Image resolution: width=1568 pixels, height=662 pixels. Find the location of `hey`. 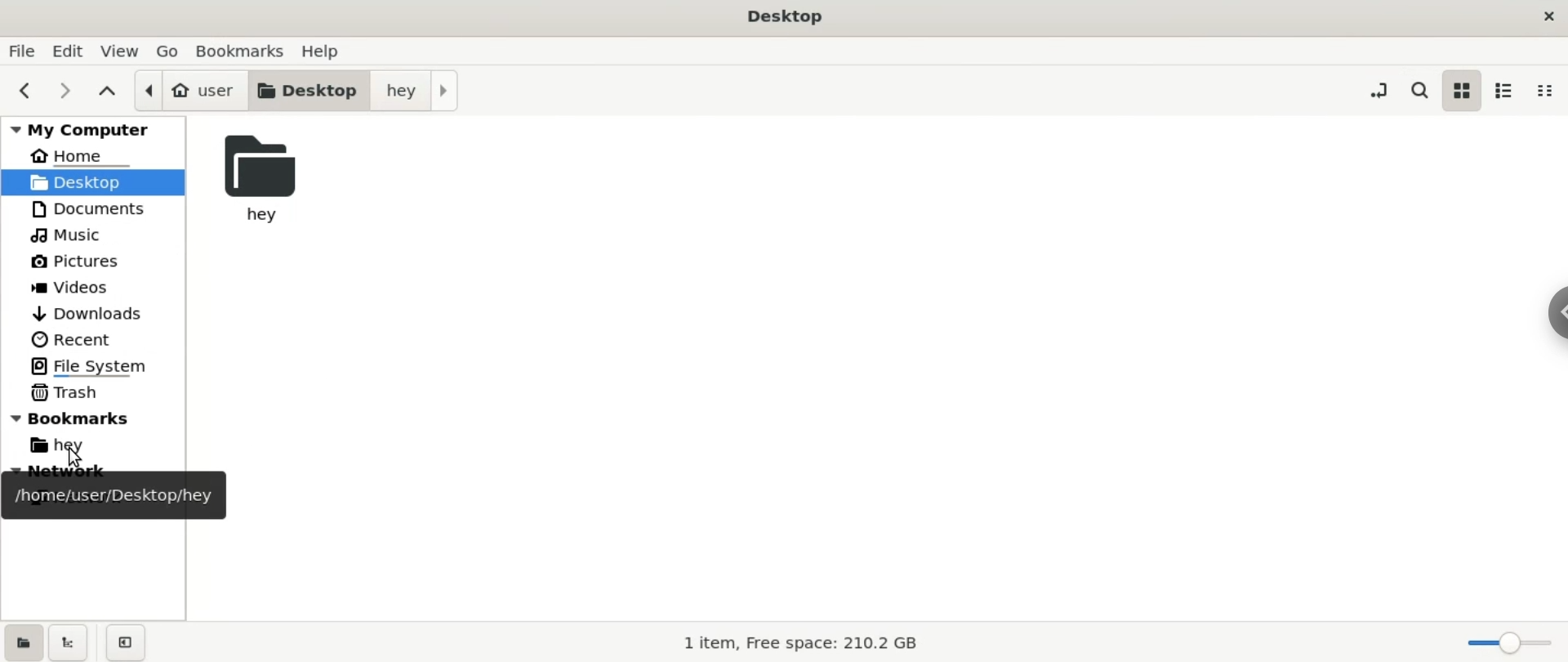

hey is located at coordinates (268, 177).